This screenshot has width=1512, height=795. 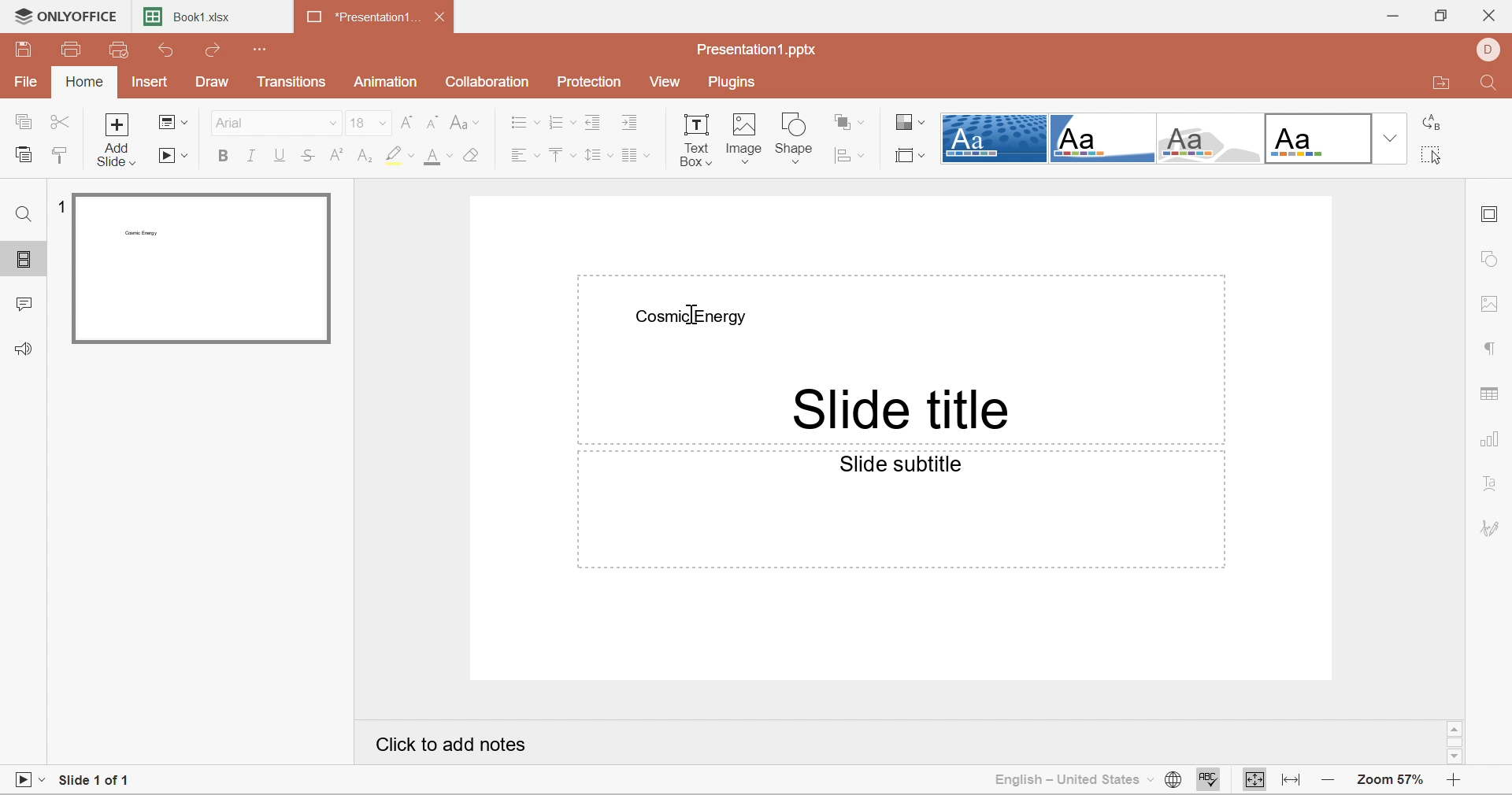 What do you see at coordinates (262, 50) in the screenshot?
I see `Customize quick access toolbar` at bounding box center [262, 50].